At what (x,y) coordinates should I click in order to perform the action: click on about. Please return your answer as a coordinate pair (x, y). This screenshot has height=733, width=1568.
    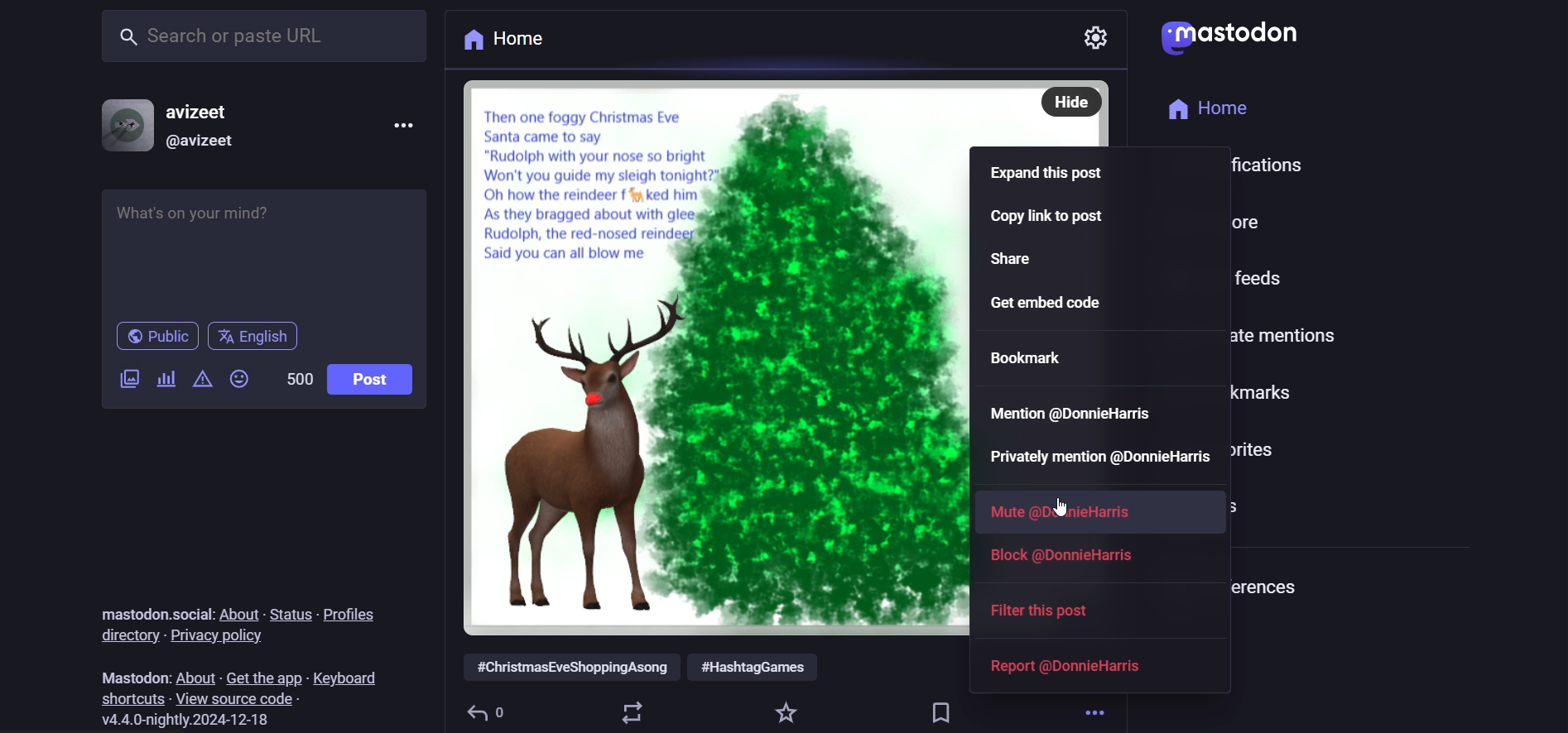
    Looking at the image, I should click on (238, 611).